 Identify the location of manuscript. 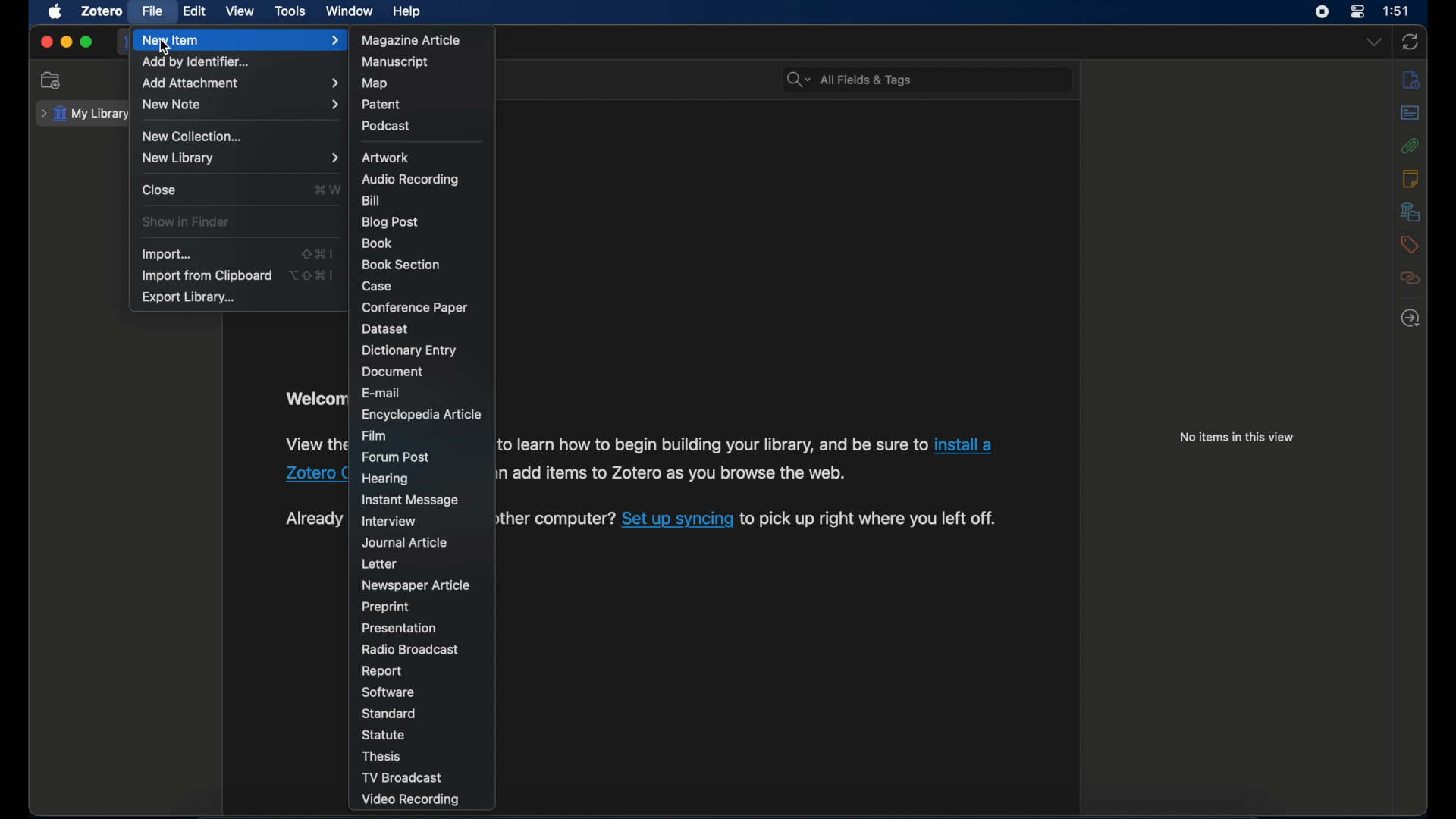
(397, 61).